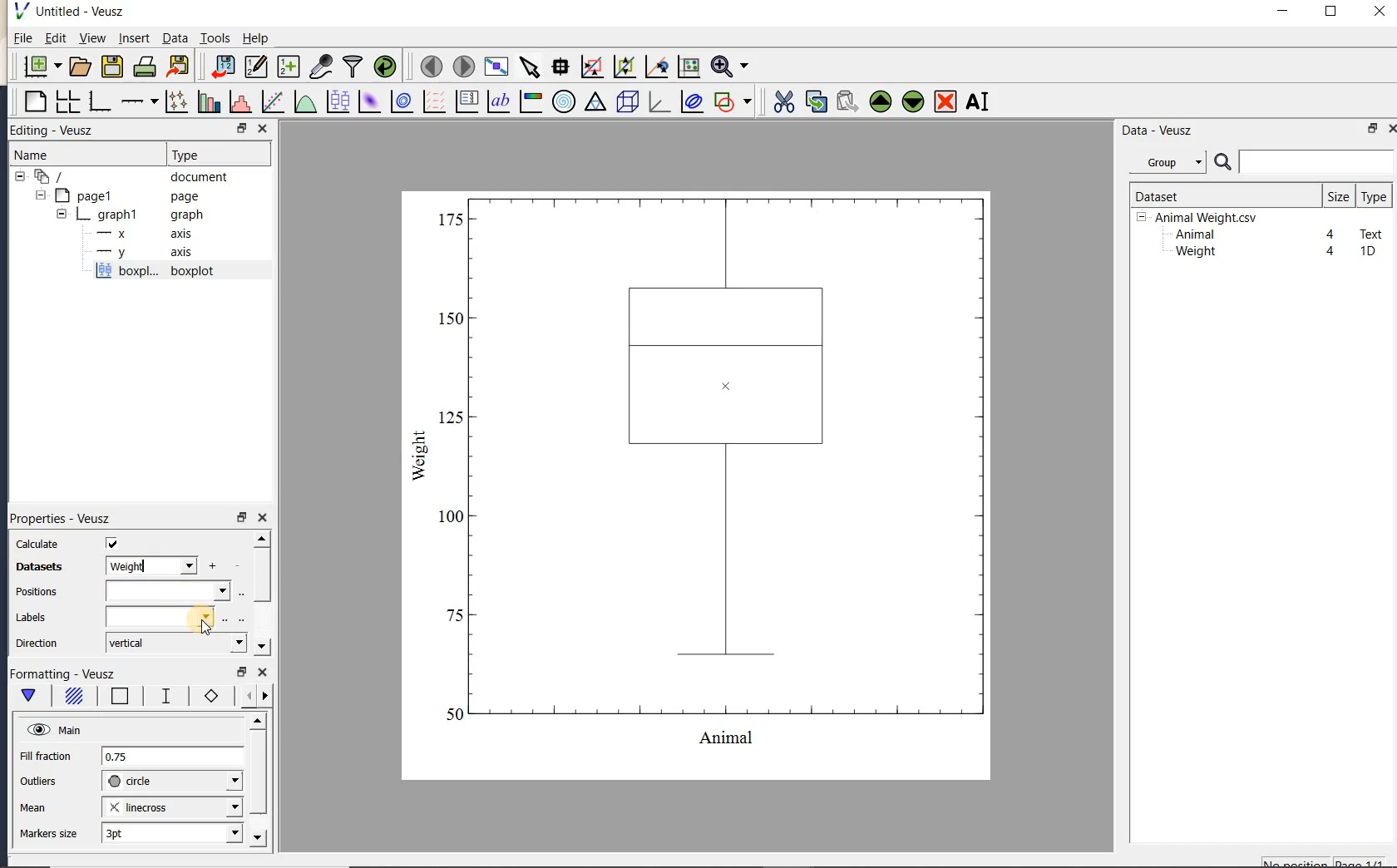  What do you see at coordinates (243, 673) in the screenshot?
I see `restore` at bounding box center [243, 673].